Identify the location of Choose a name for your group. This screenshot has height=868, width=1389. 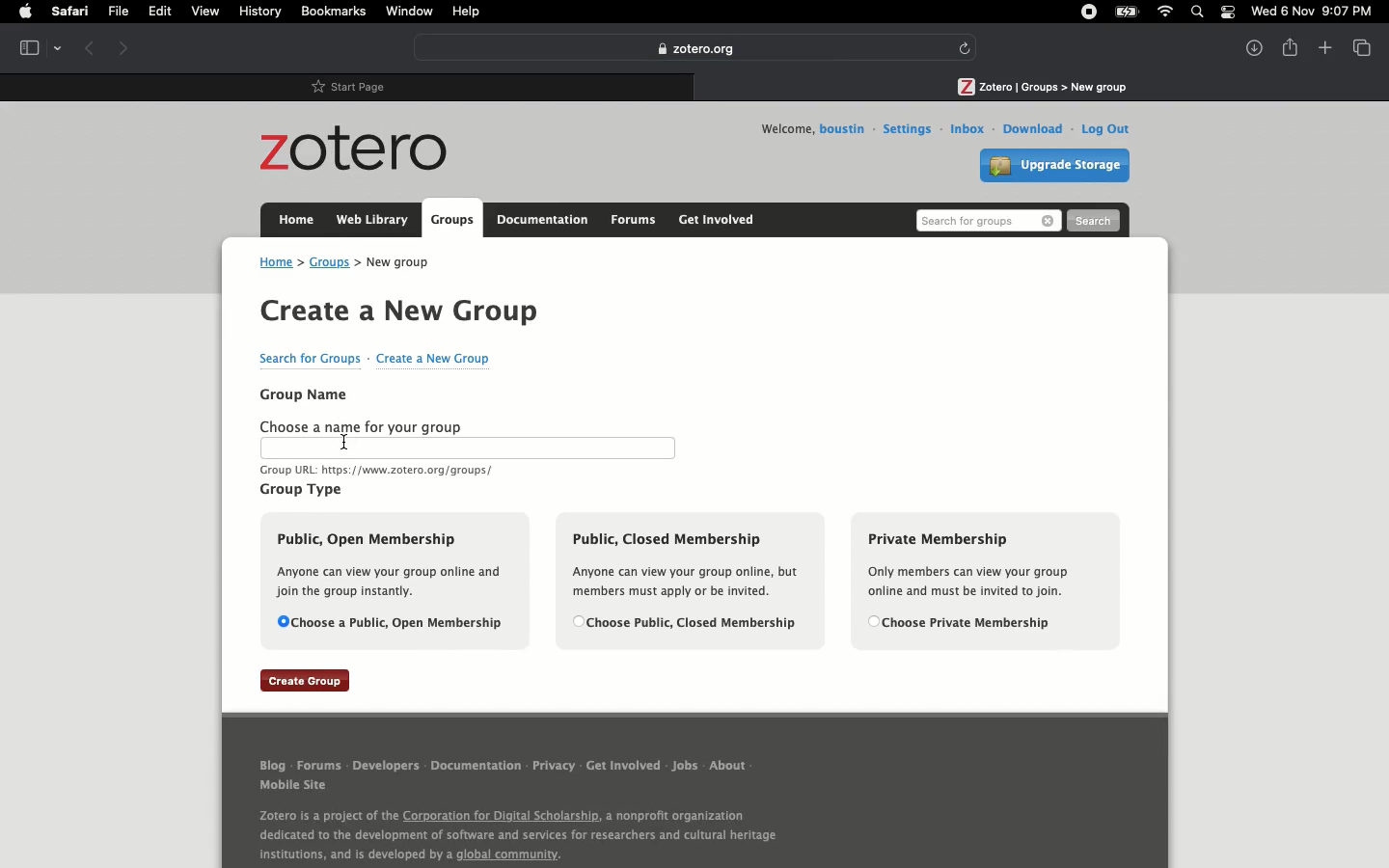
(363, 426).